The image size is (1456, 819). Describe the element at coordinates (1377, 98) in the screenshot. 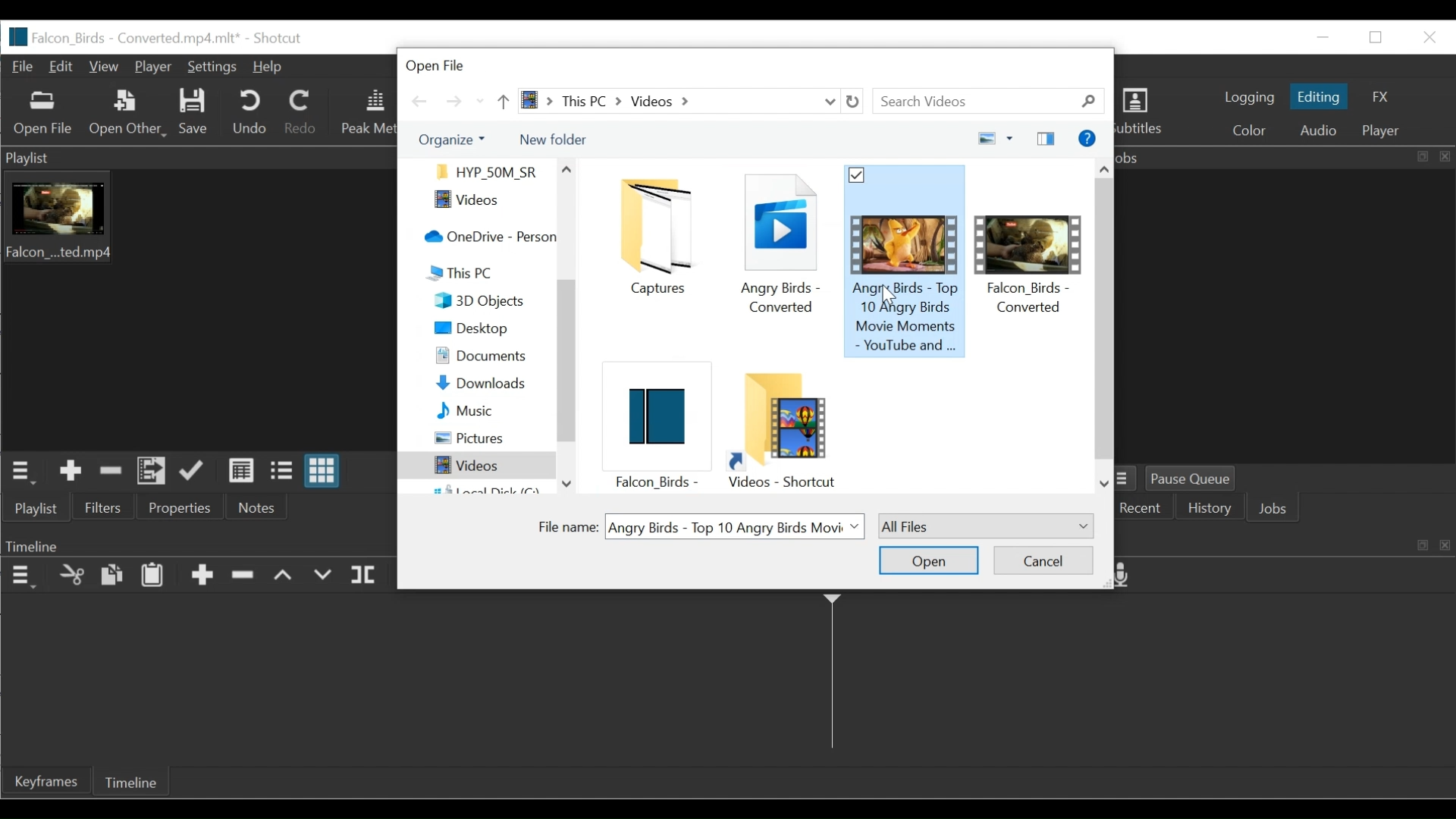

I see `FX` at that location.